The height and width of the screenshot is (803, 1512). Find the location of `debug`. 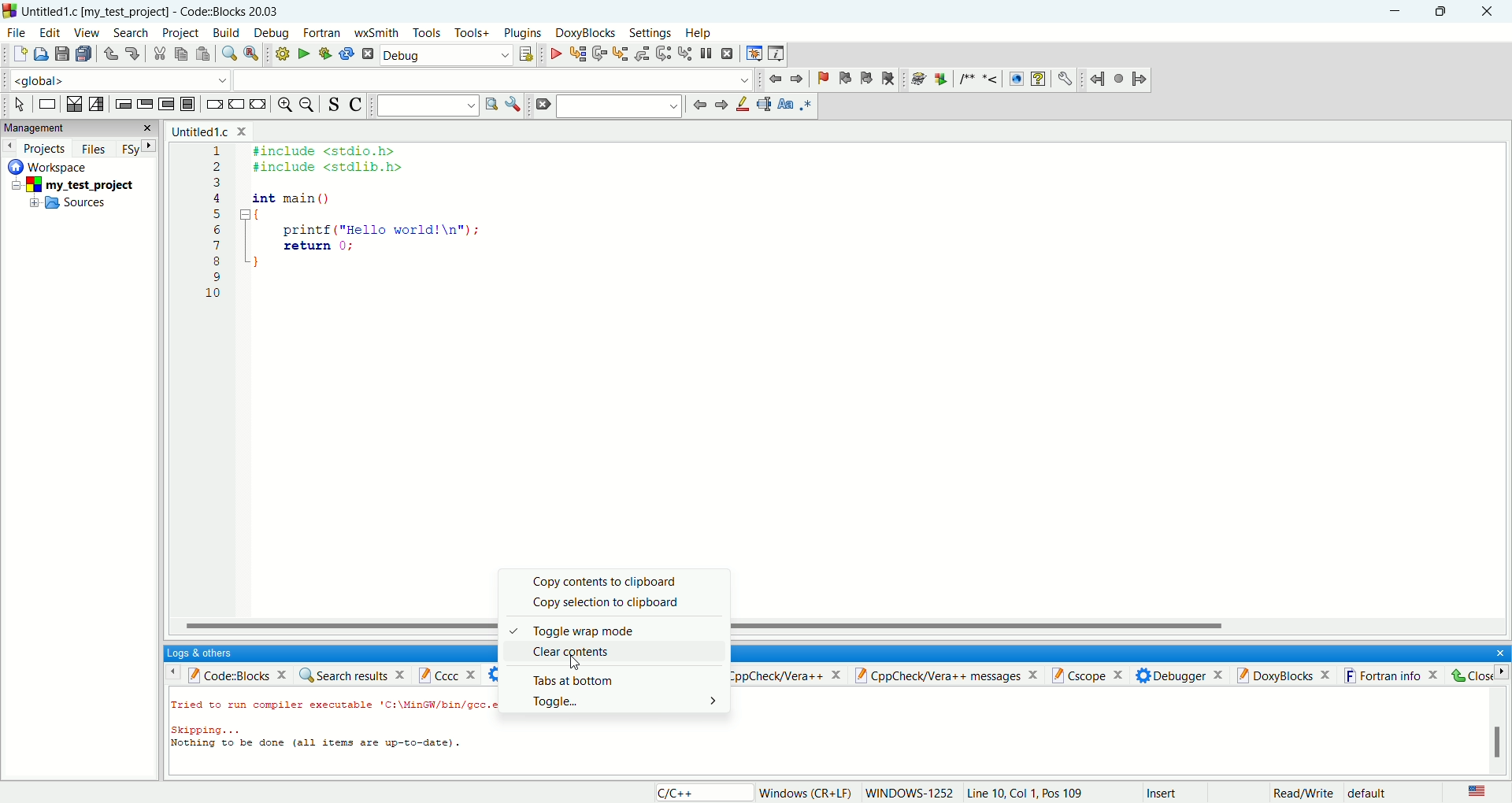

debug is located at coordinates (446, 57).